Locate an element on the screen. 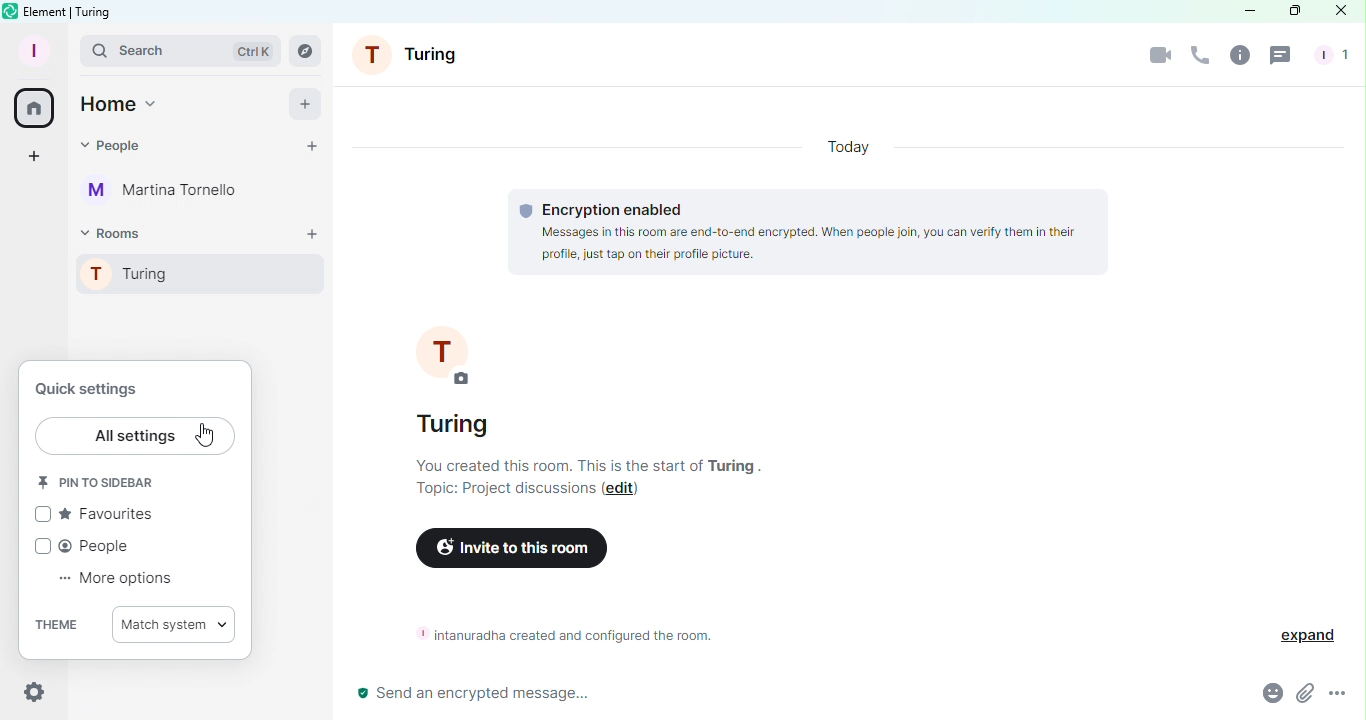 The width and height of the screenshot is (1366, 720). Room is located at coordinates (416, 55).